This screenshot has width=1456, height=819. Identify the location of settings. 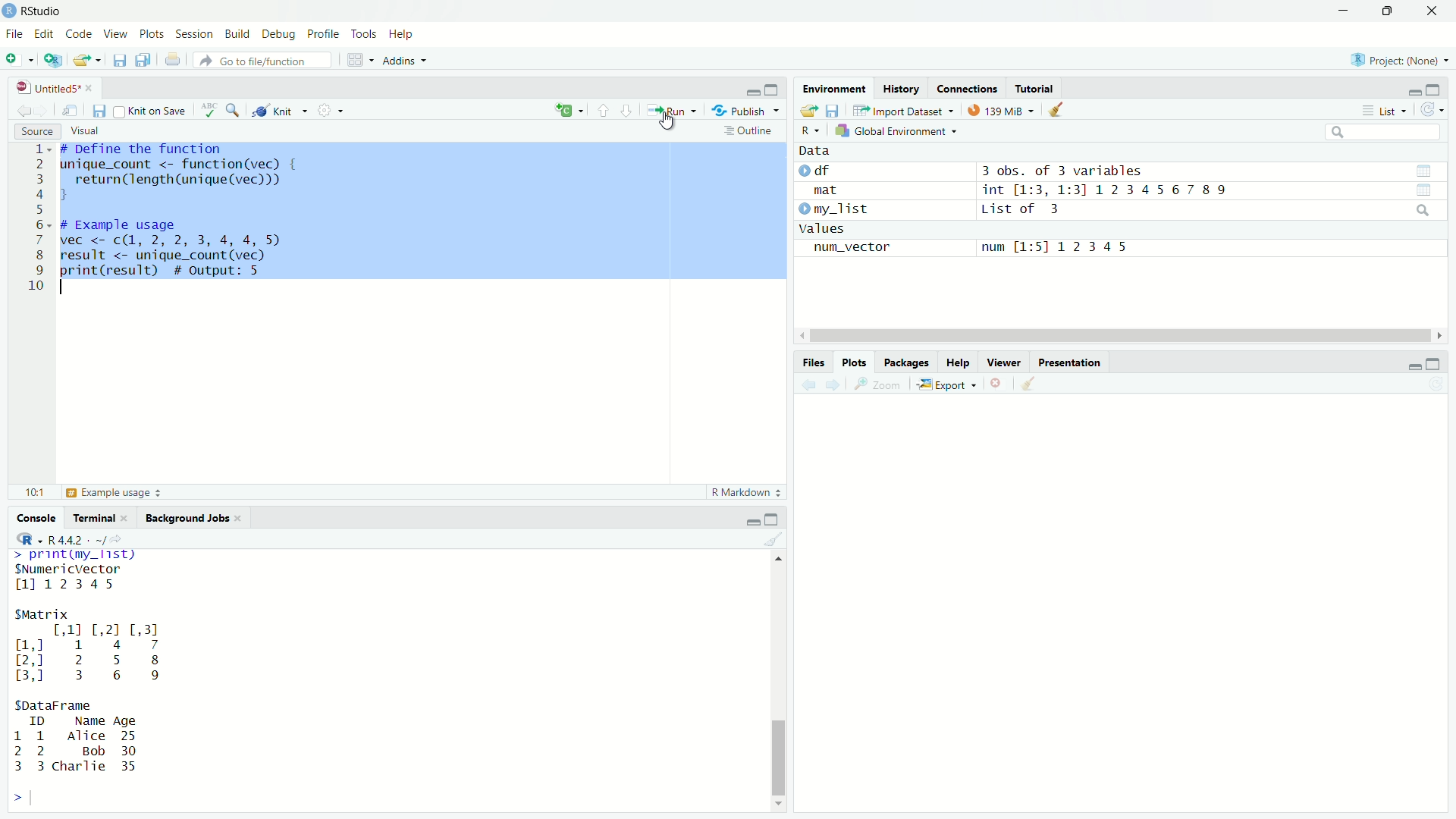
(328, 110).